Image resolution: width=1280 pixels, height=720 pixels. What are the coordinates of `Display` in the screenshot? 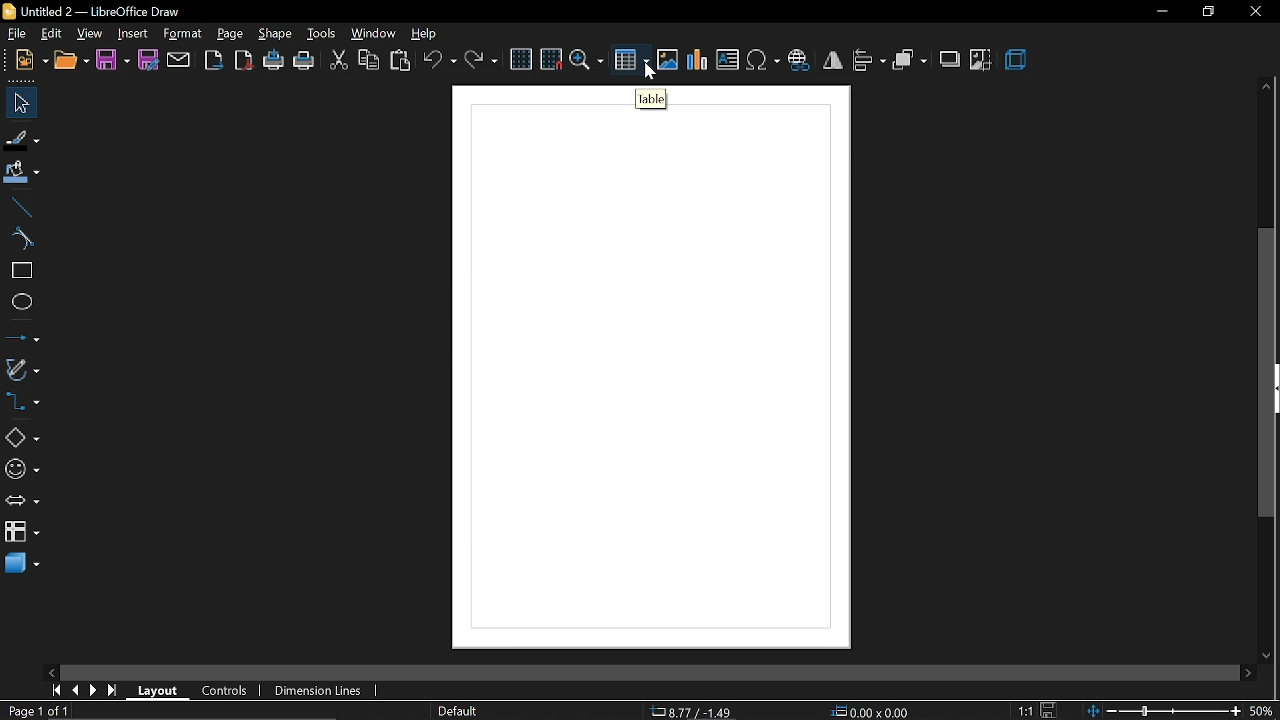 It's located at (651, 361).